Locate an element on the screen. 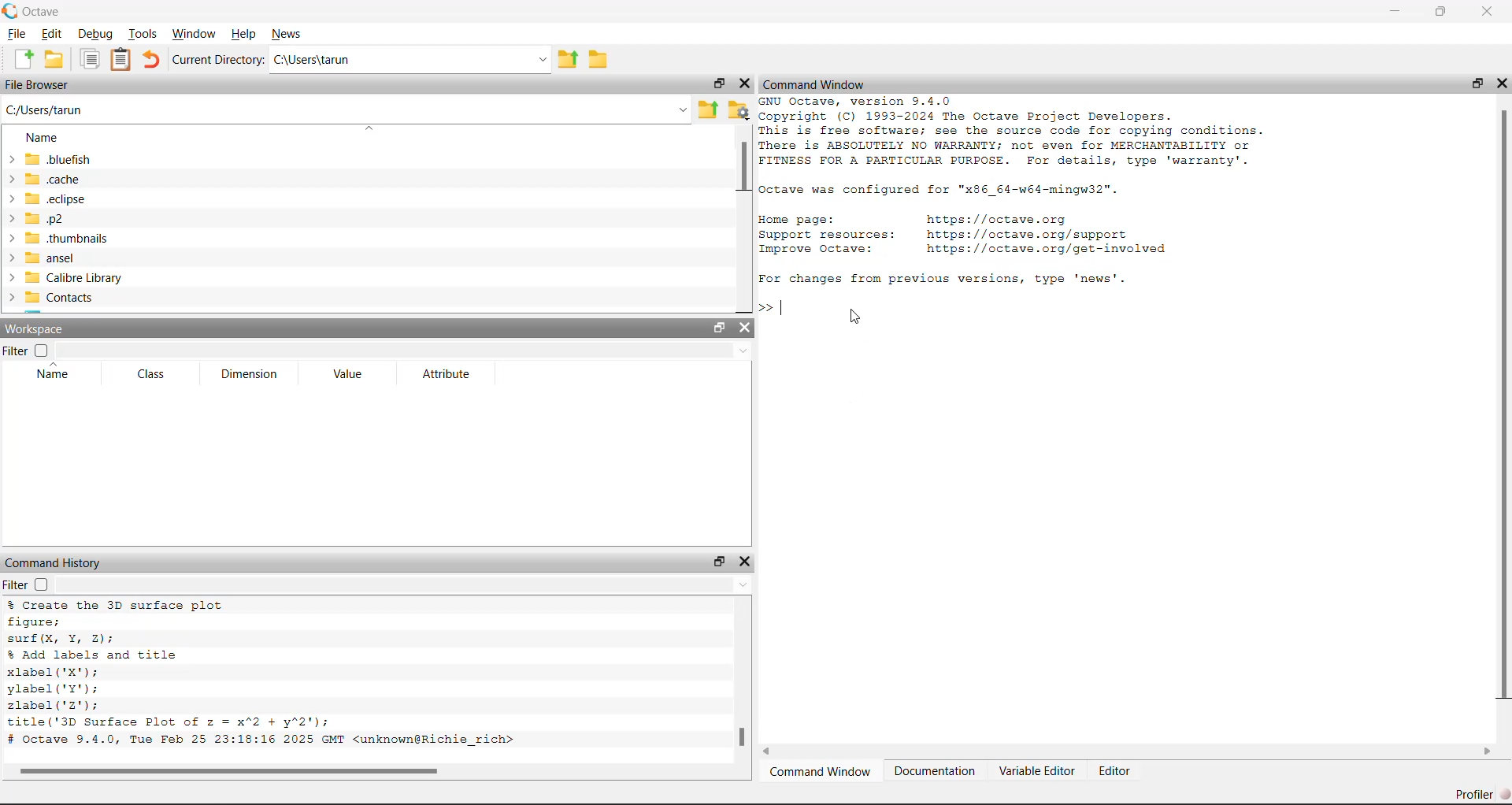  Restore Down is located at coordinates (720, 562).